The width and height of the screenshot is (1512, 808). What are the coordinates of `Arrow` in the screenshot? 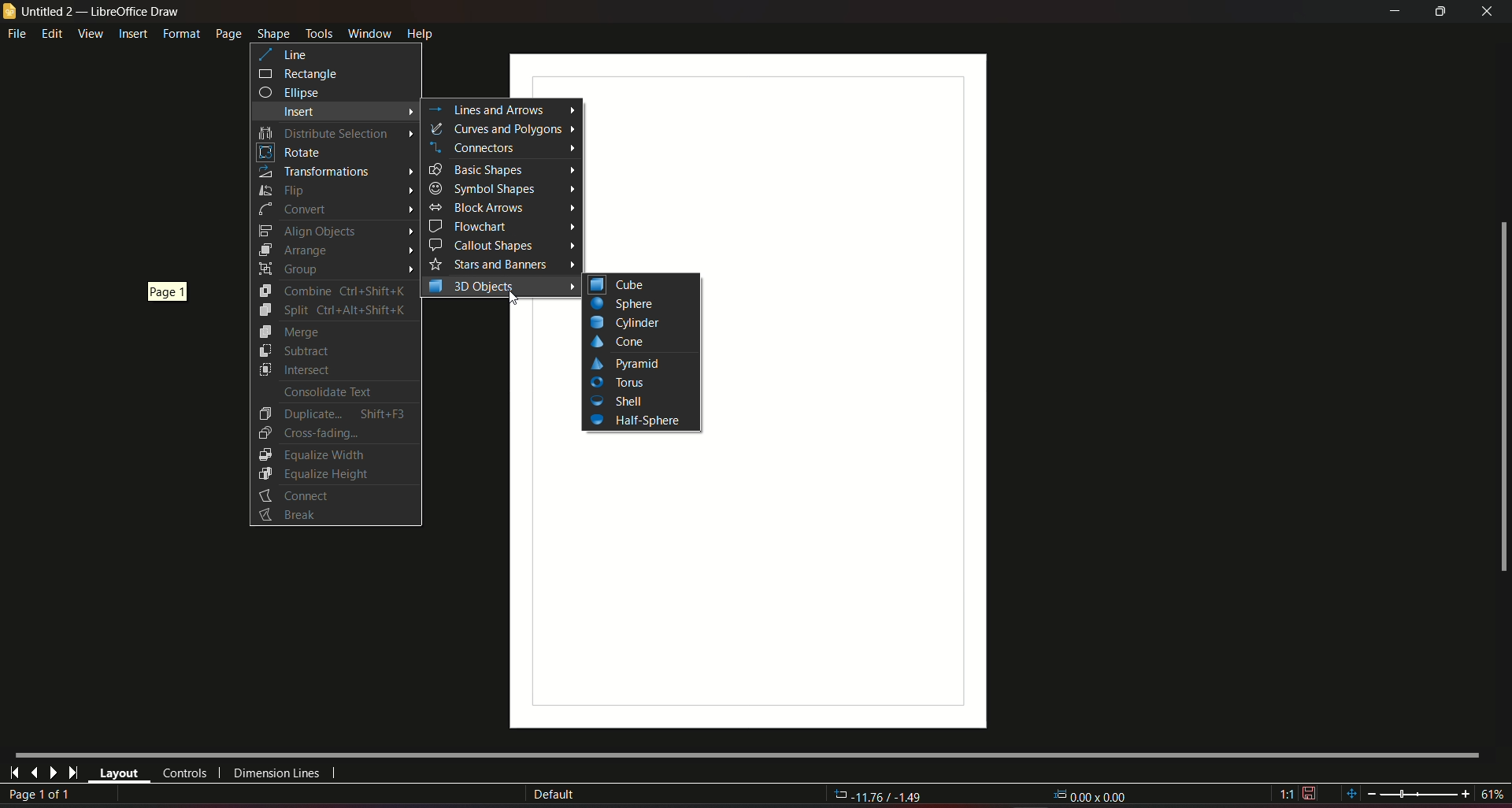 It's located at (408, 172).